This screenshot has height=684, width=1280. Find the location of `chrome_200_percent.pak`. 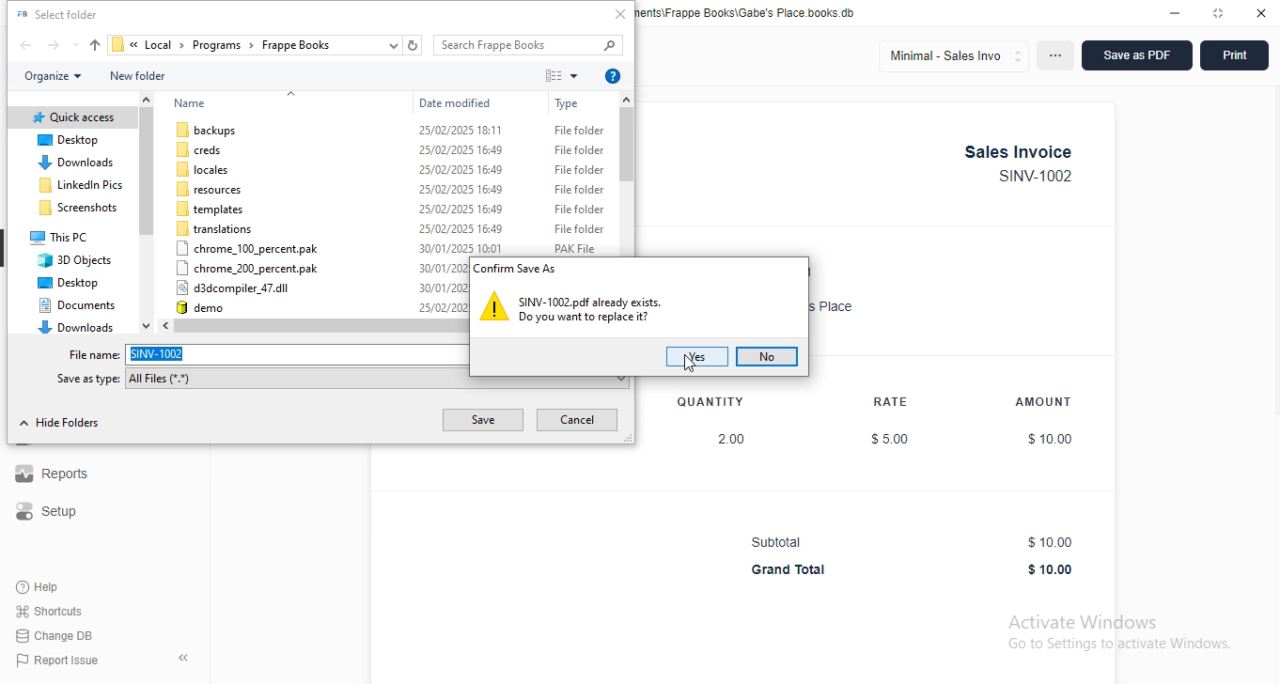

chrome_200_percent.pak is located at coordinates (247, 268).